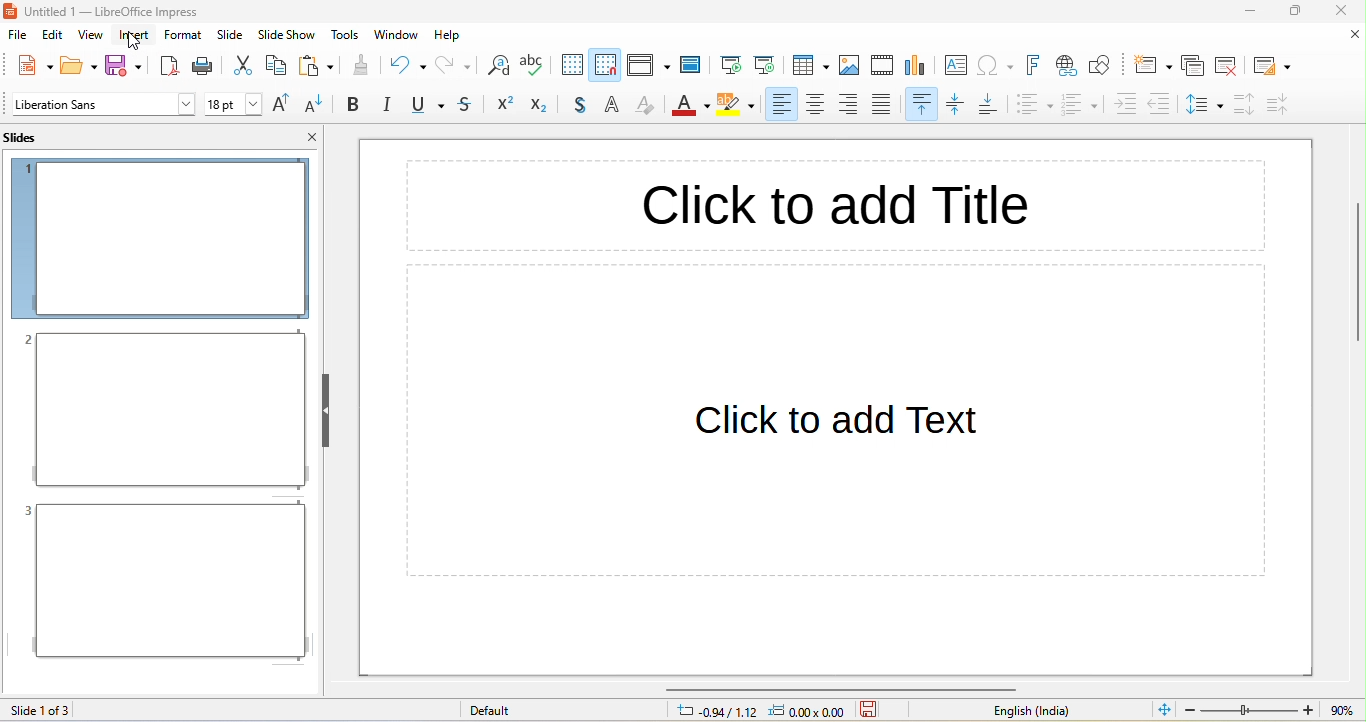 The image size is (1366, 722). I want to click on duplicate slide, so click(1192, 65).